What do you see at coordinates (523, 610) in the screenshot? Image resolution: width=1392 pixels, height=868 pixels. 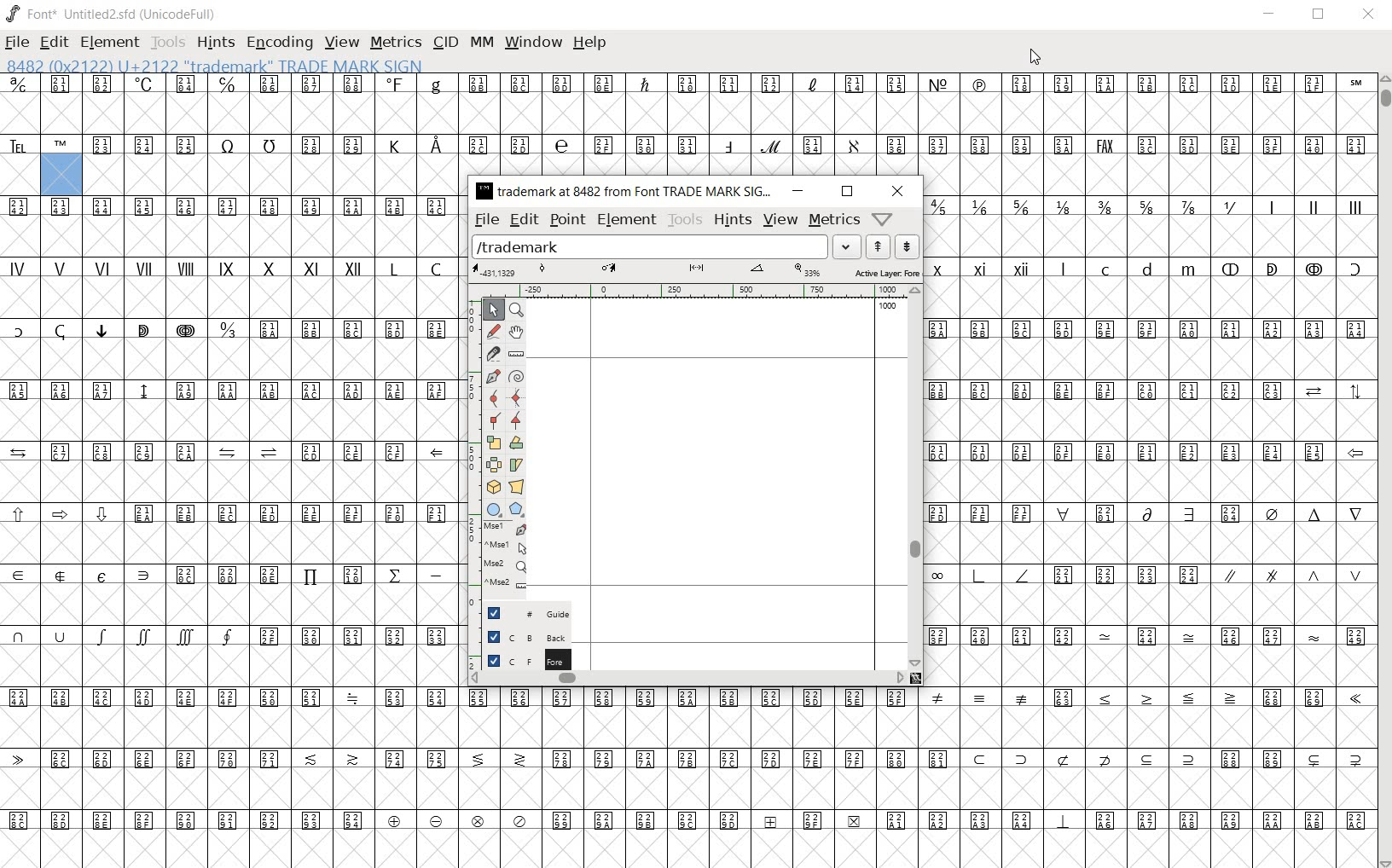 I see `Guide` at bounding box center [523, 610].